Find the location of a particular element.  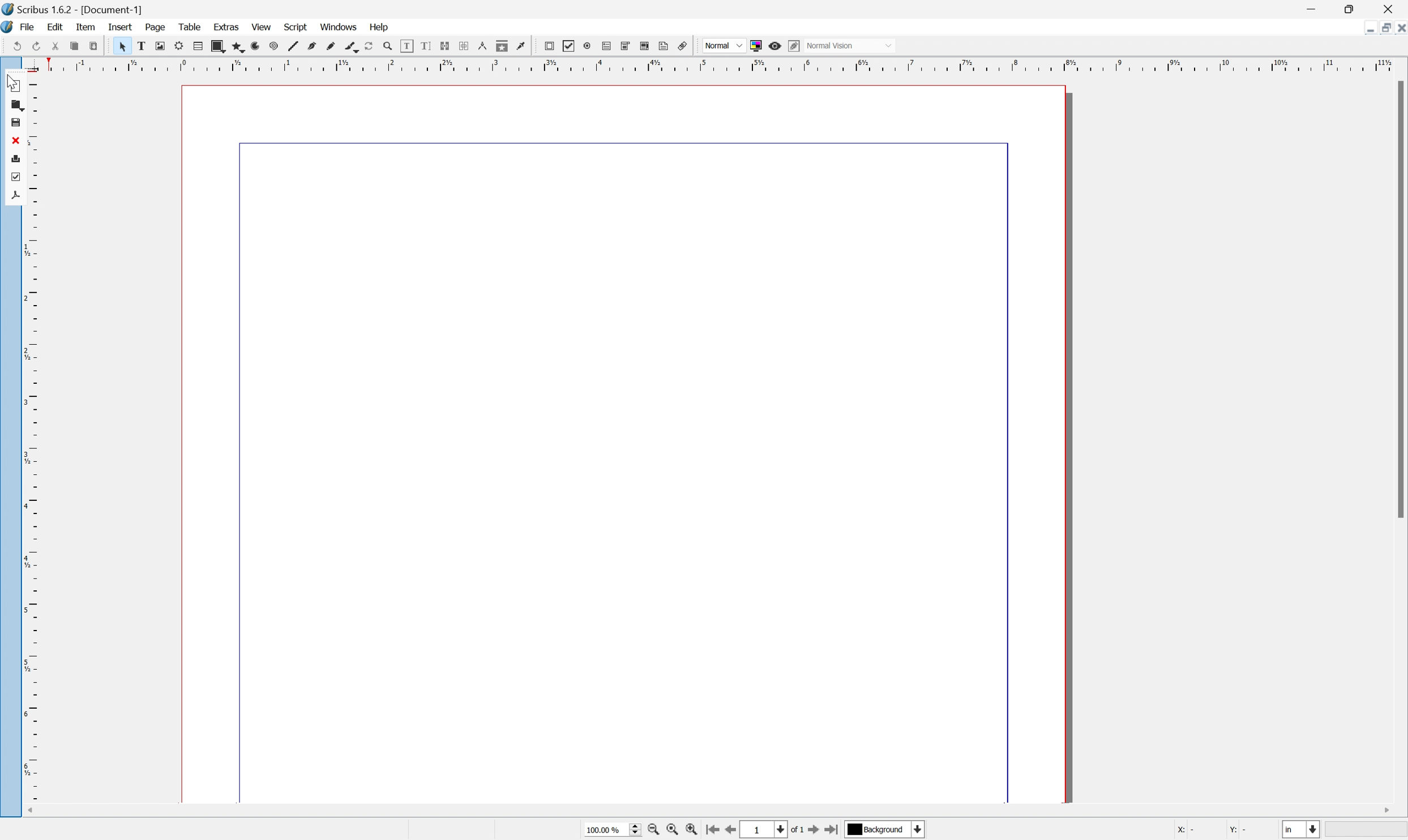

eye dropper is located at coordinates (665, 46).